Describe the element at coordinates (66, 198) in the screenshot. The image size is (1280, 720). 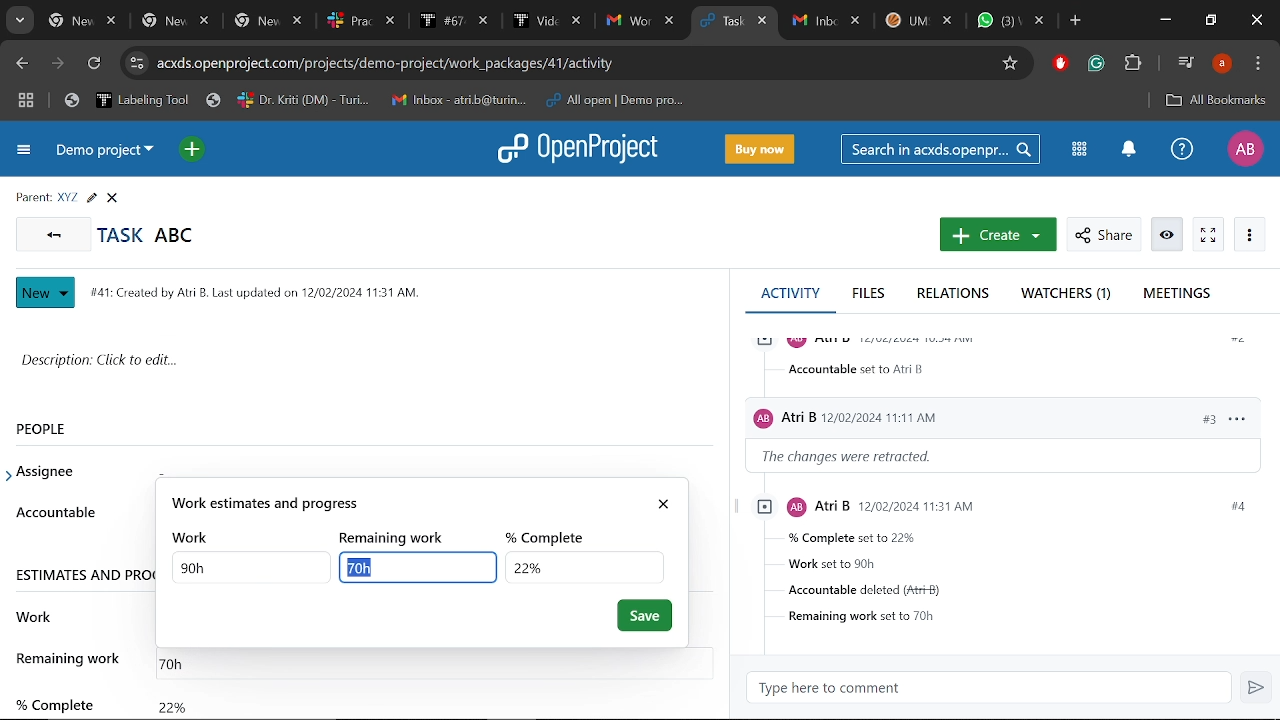
I see `Parent task name` at that location.